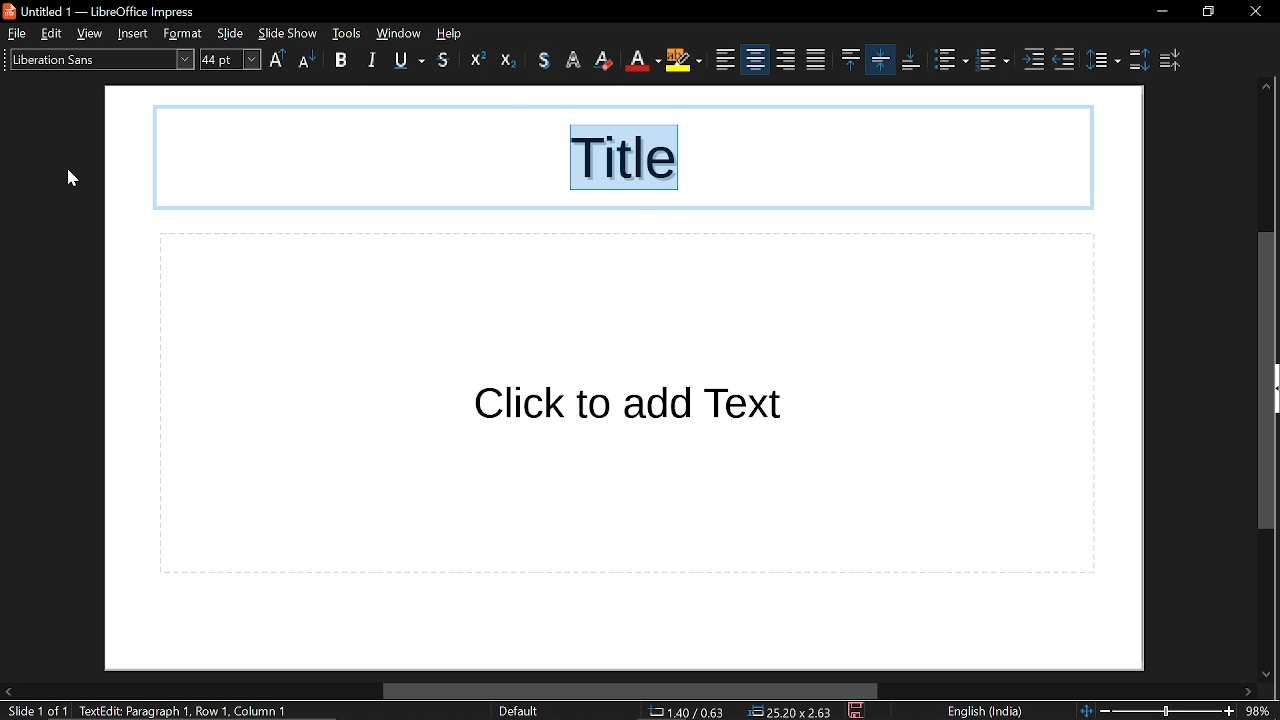 This screenshot has height=720, width=1280. Describe the element at coordinates (347, 33) in the screenshot. I see `tools` at that location.